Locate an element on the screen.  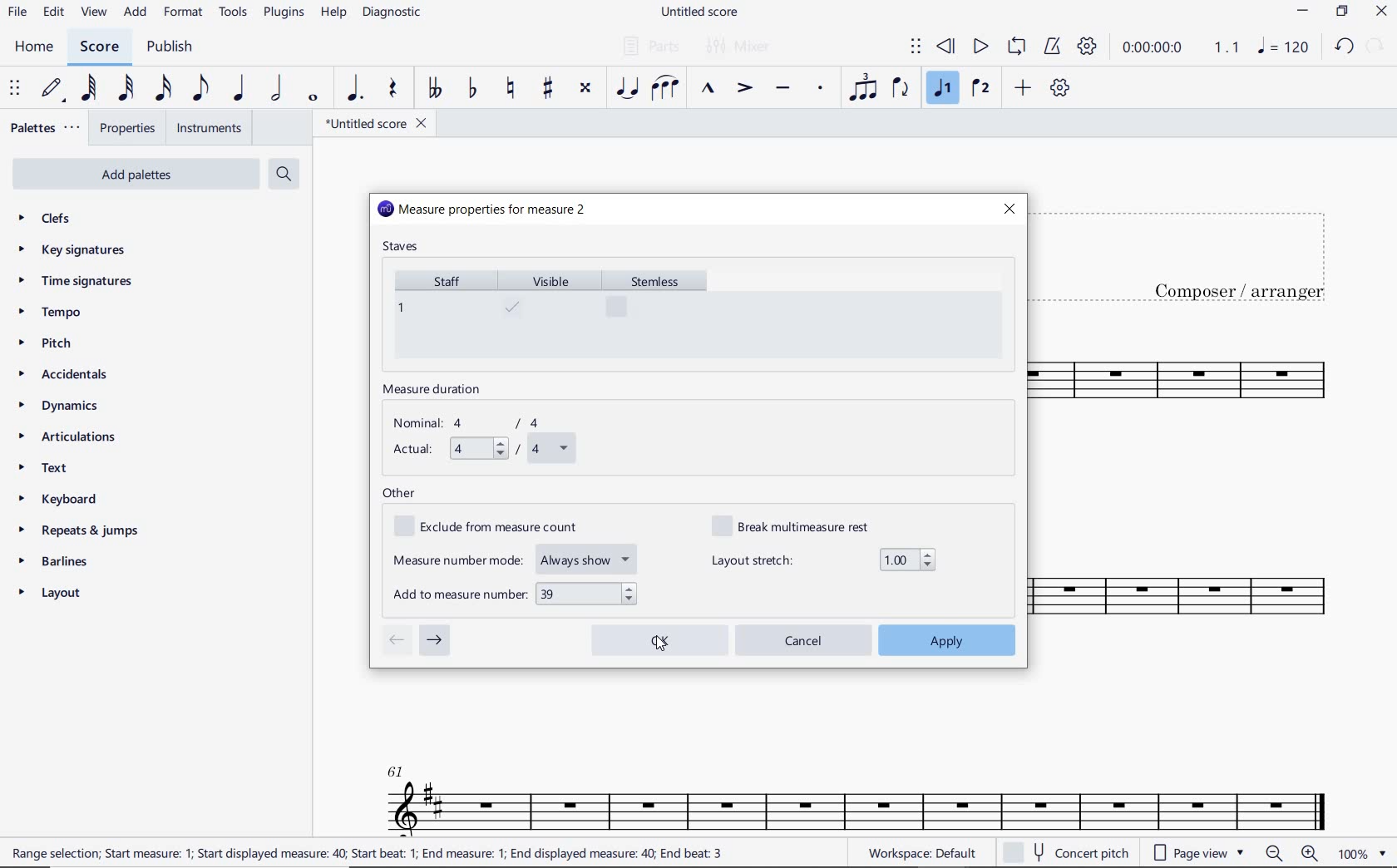
TEXT is located at coordinates (47, 470).